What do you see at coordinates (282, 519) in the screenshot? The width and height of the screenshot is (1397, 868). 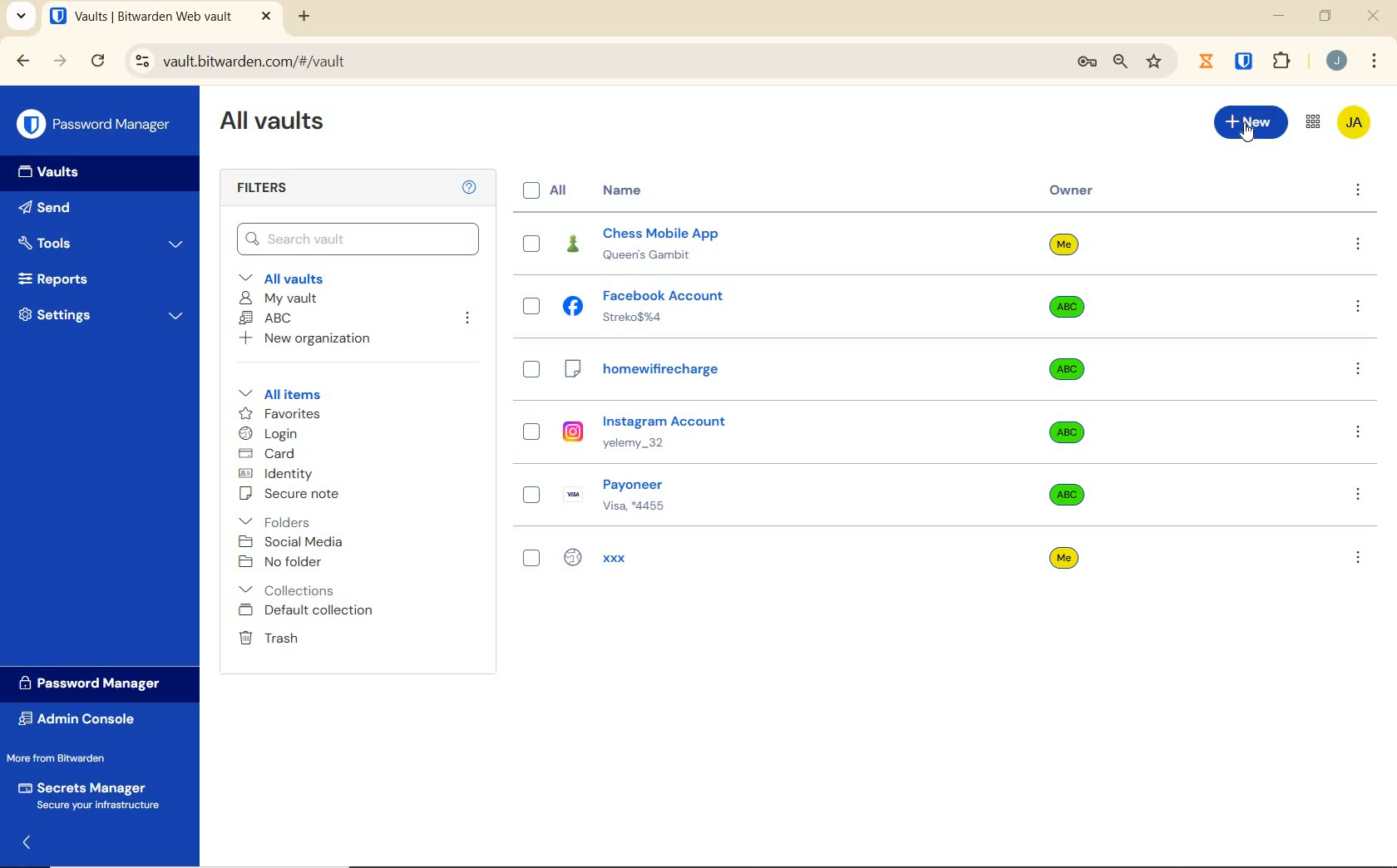 I see `folders` at bounding box center [282, 519].